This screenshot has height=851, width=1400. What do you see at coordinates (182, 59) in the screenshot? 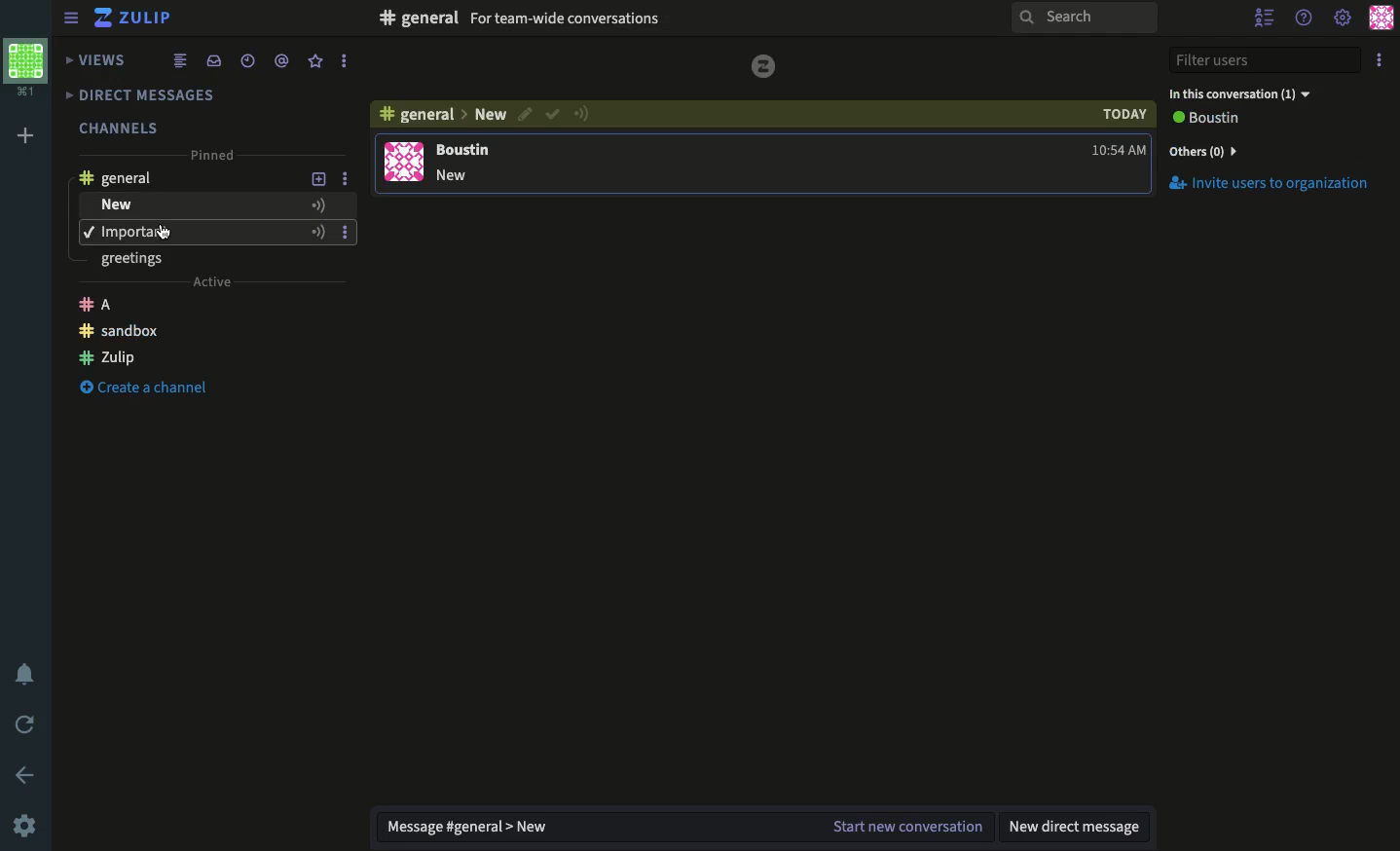
I see `Feed` at bounding box center [182, 59].